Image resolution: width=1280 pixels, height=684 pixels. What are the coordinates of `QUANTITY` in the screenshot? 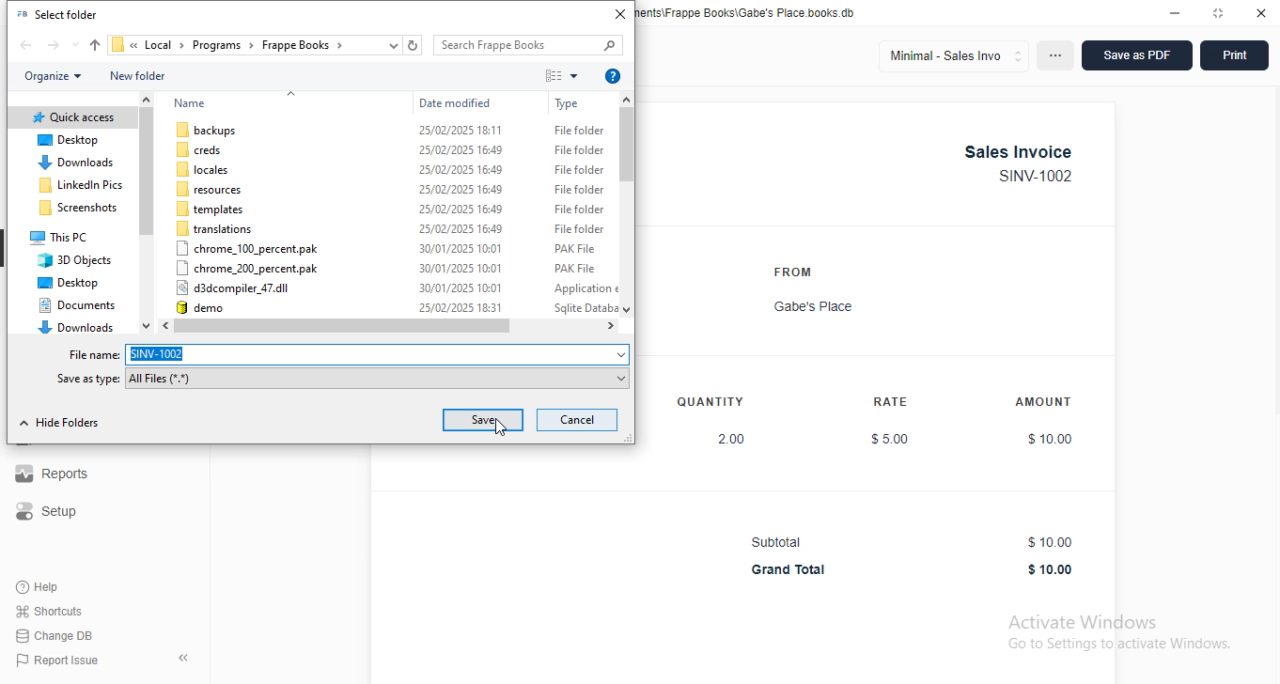 It's located at (710, 402).